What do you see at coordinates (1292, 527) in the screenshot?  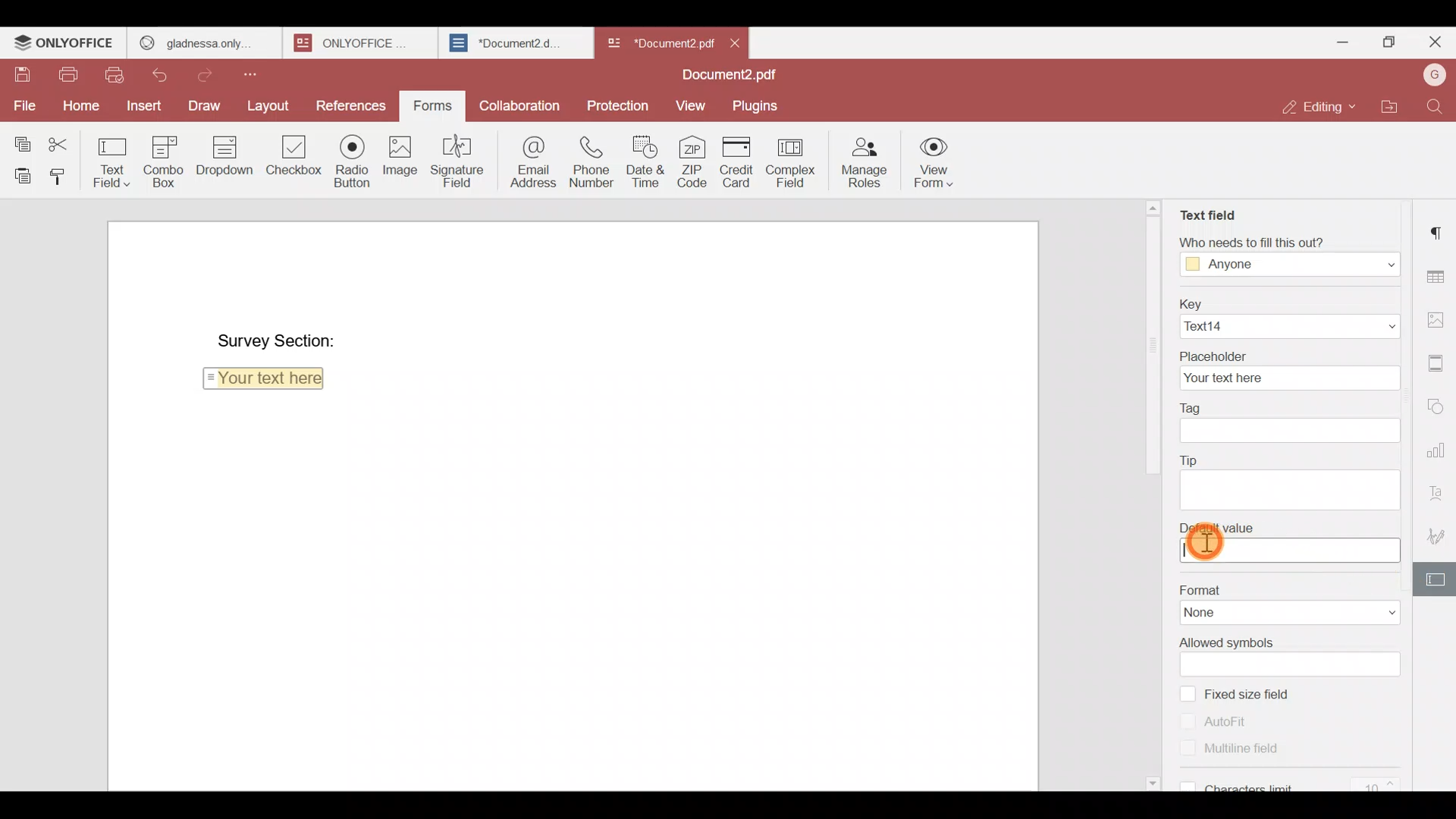 I see `Default value` at bounding box center [1292, 527].